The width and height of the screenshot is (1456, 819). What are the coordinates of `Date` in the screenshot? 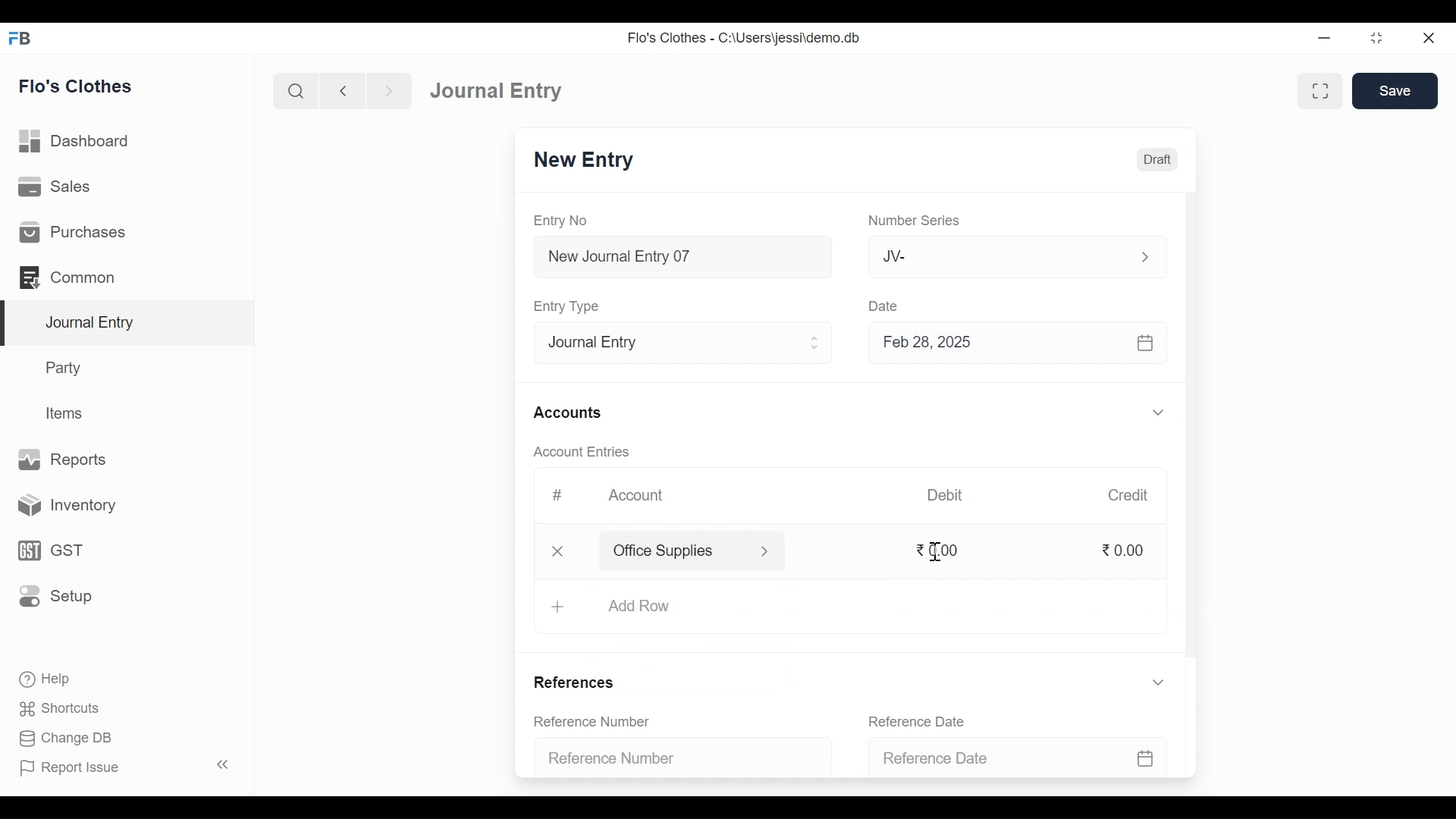 It's located at (888, 307).